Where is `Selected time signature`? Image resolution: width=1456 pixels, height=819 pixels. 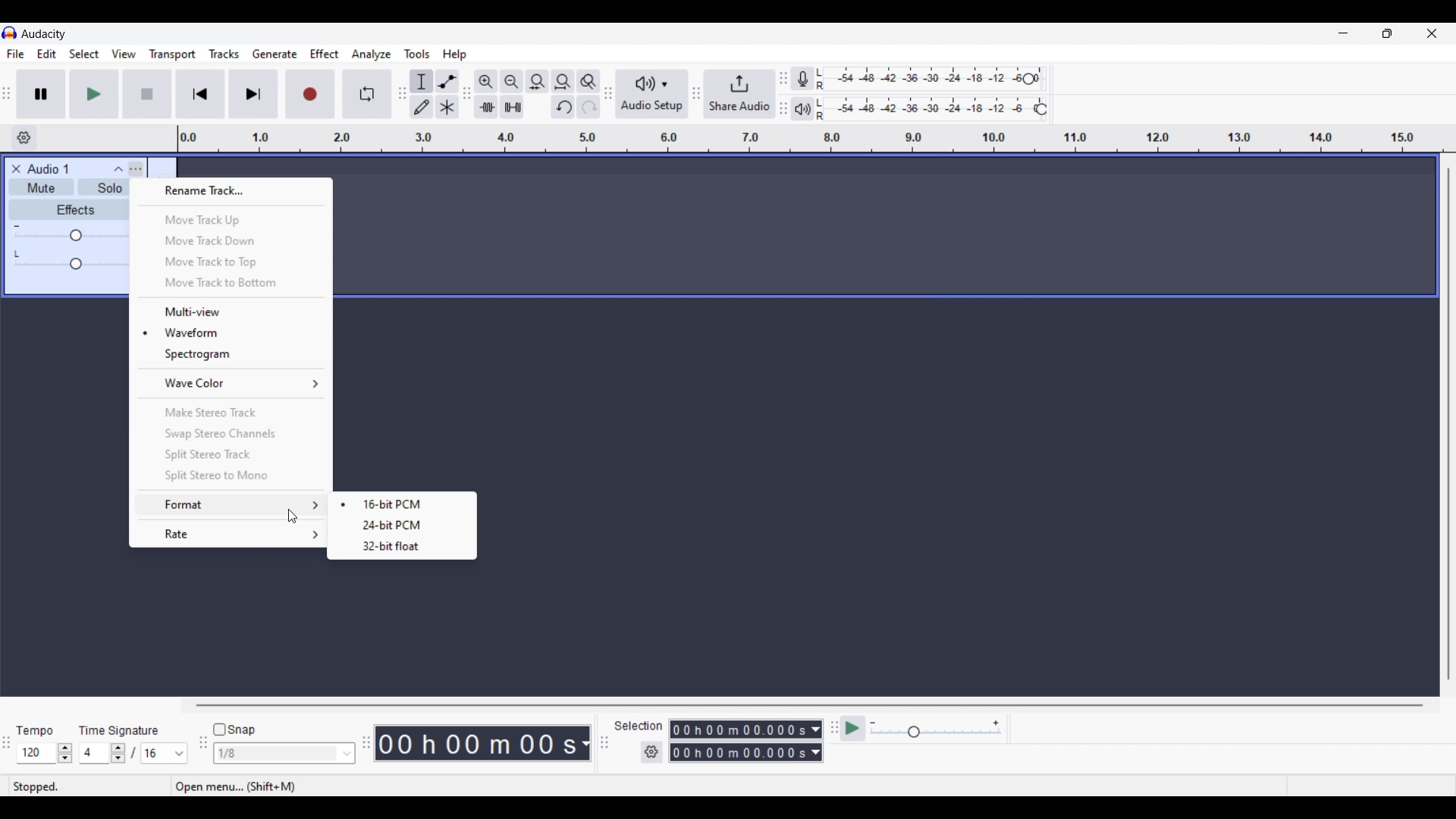
Selected time signature is located at coordinates (96, 754).